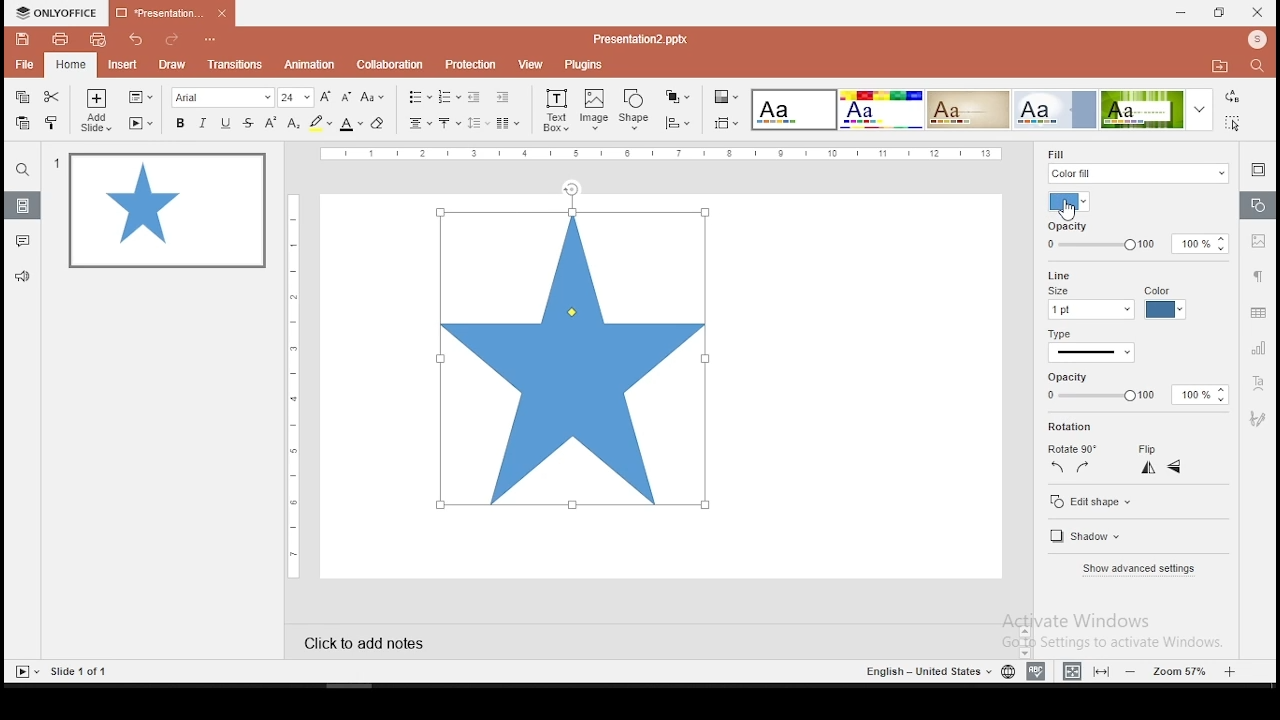 This screenshot has height=720, width=1280. What do you see at coordinates (1091, 347) in the screenshot?
I see `line type` at bounding box center [1091, 347].